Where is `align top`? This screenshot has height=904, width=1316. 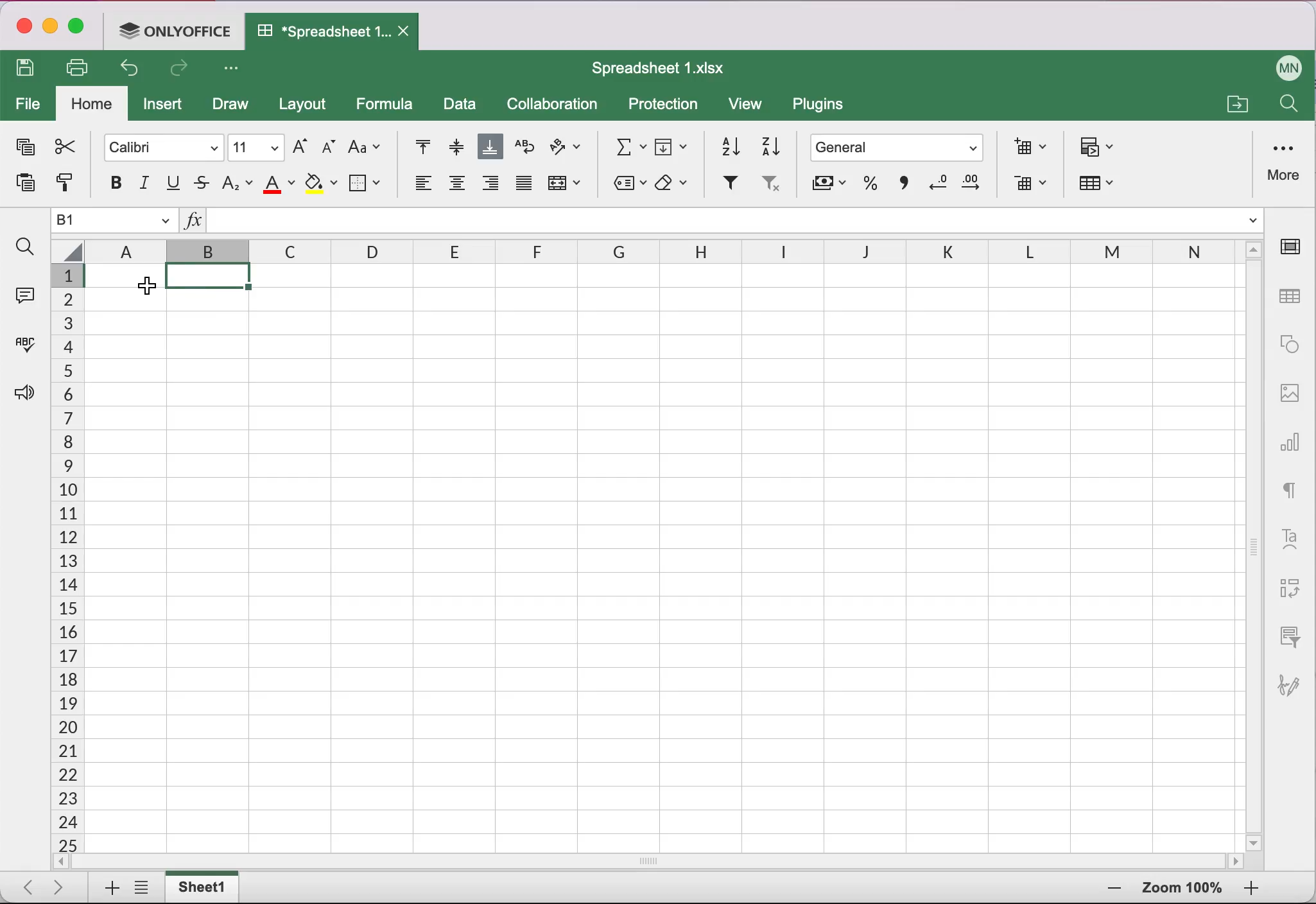
align top is located at coordinates (415, 148).